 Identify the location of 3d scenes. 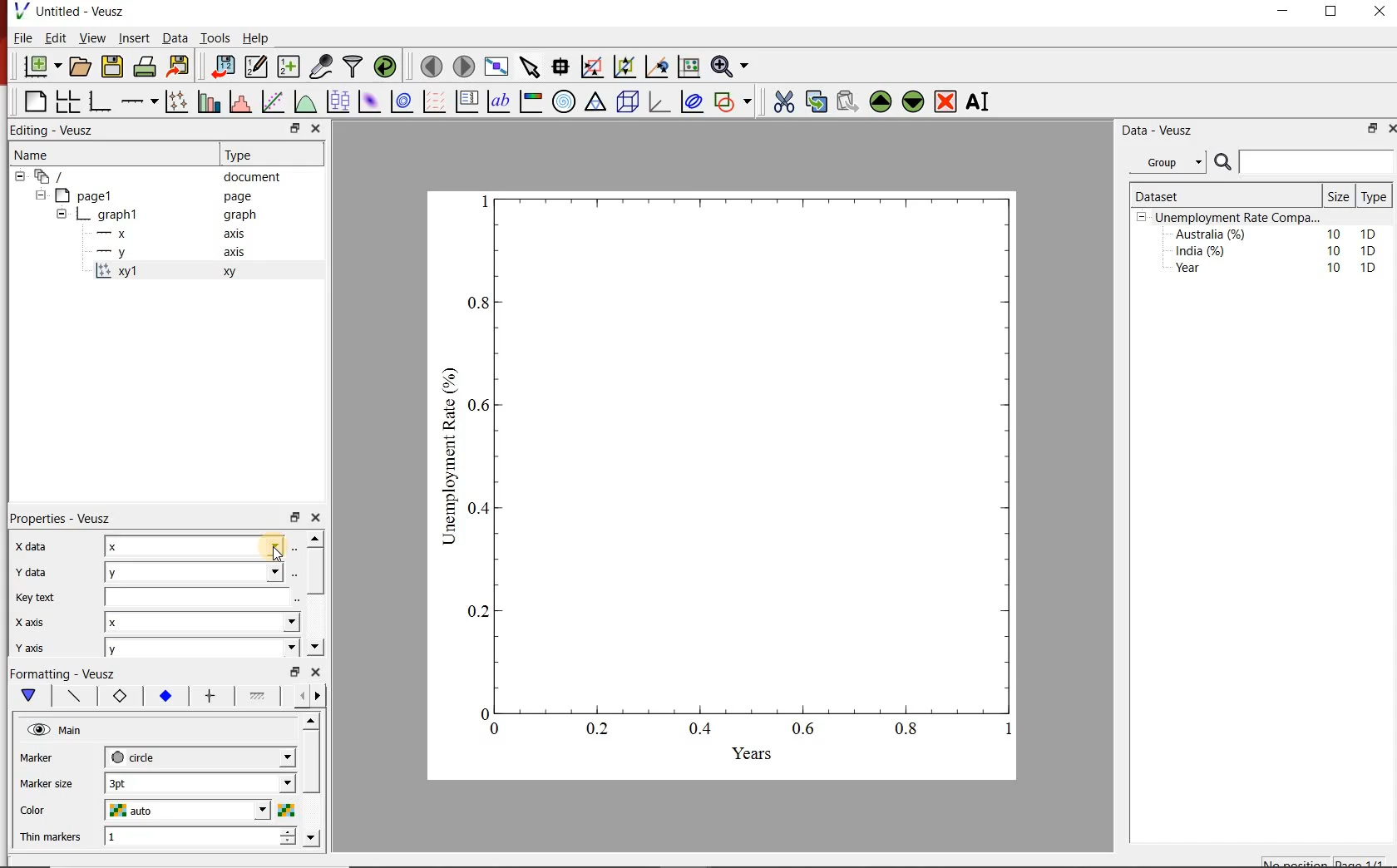
(625, 101).